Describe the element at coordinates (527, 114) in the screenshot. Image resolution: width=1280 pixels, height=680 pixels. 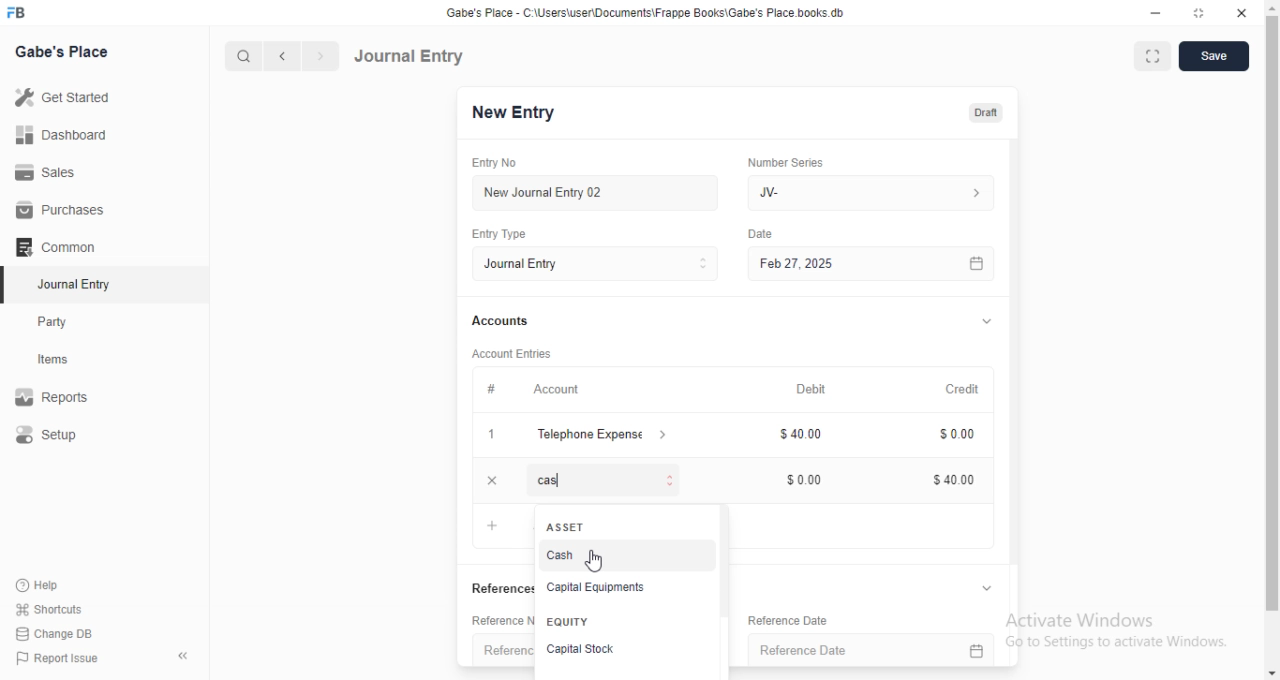
I see `New entry` at that location.